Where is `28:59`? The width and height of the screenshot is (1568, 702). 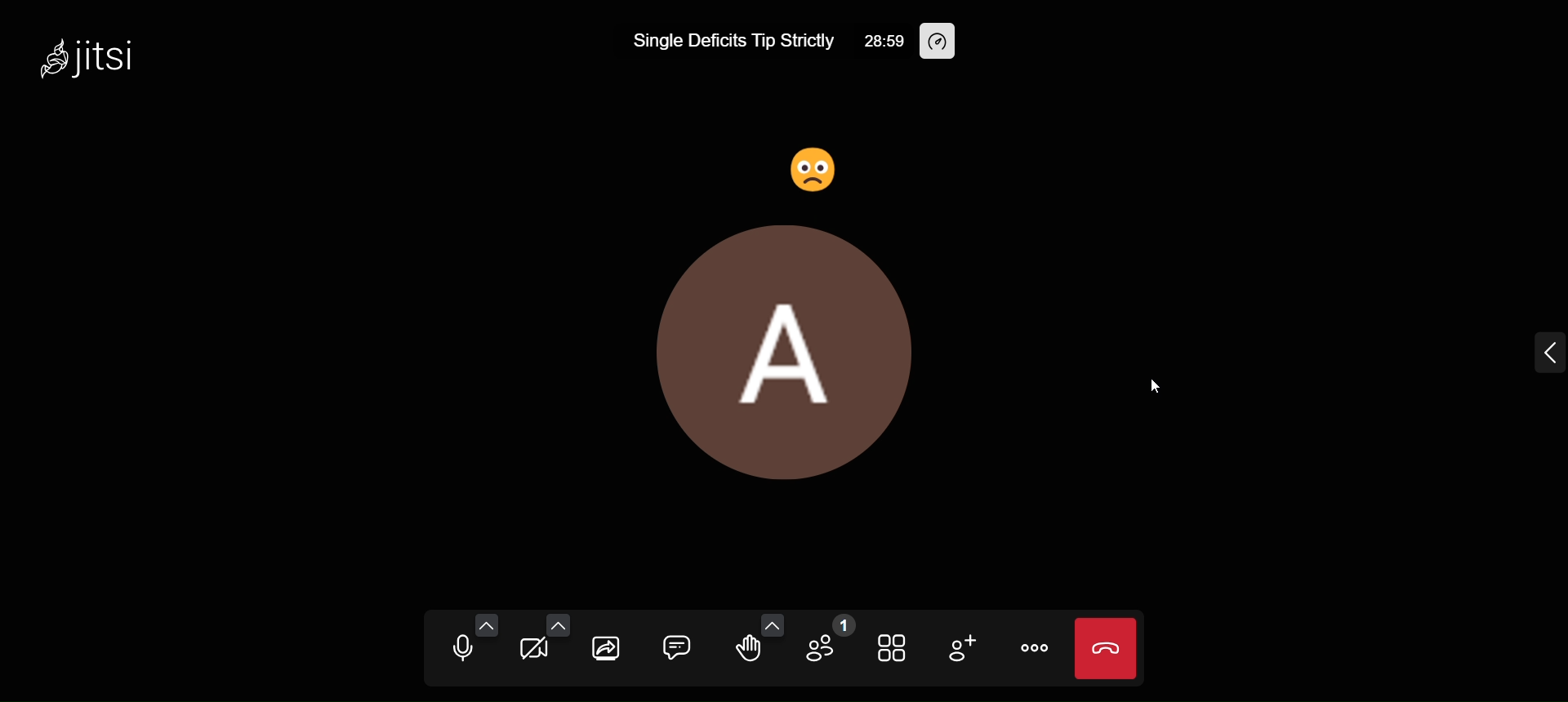
28:59 is located at coordinates (884, 40).